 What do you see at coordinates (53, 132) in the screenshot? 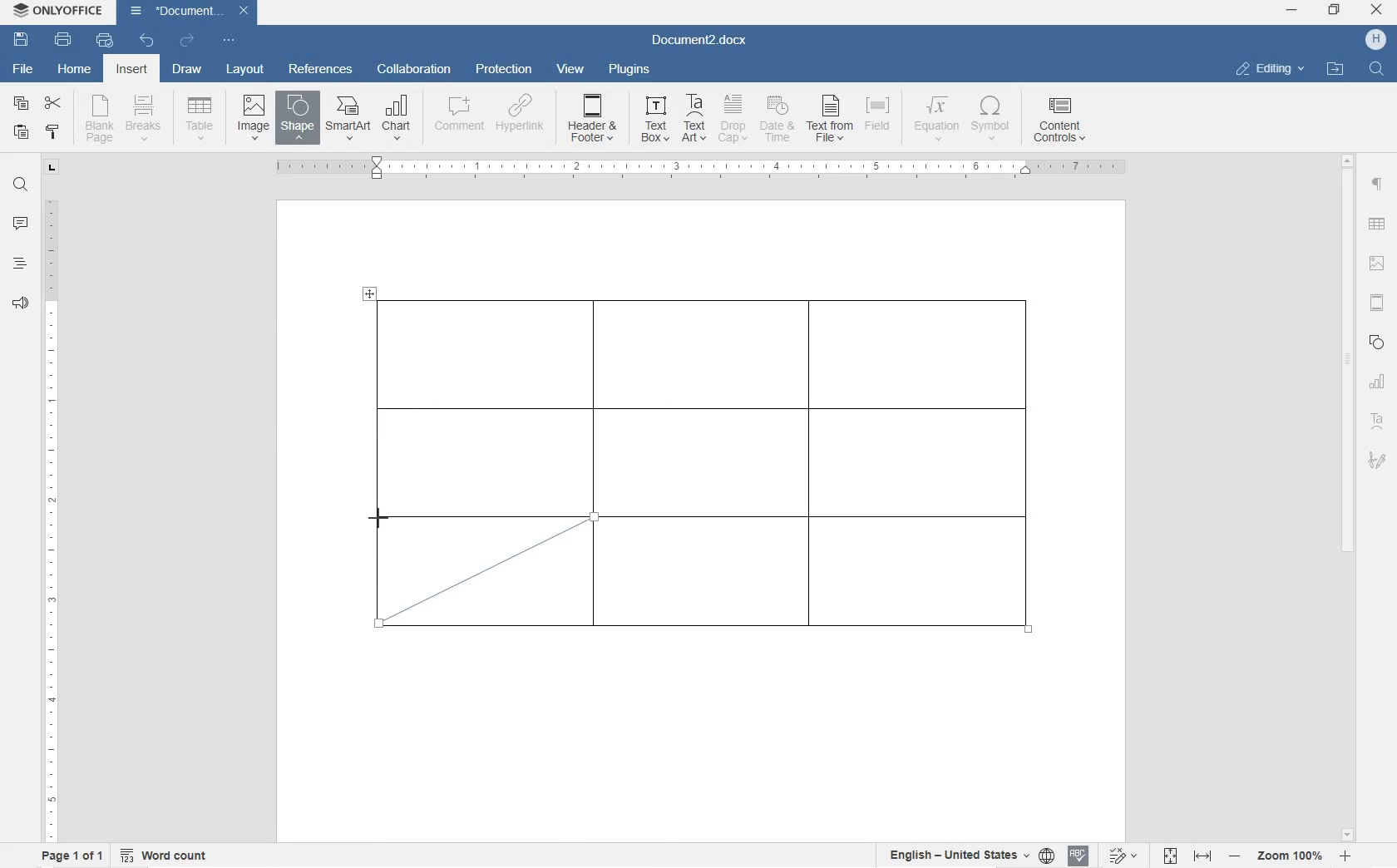
I see `copy style` at bounding box center [53, 132].